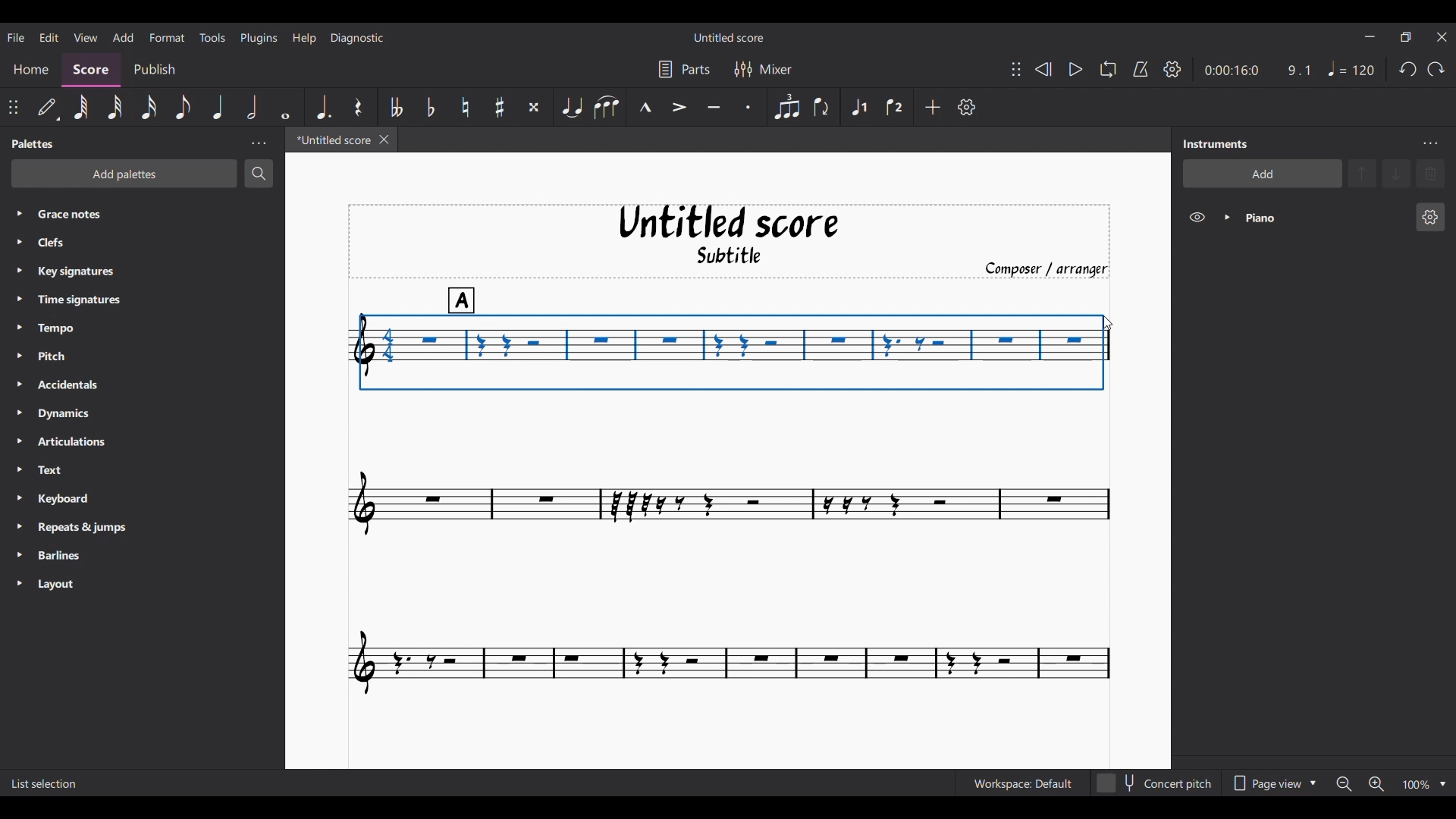  Describe the element at coordinates (1263, 174) in the screenshot. I see `Add instrument` at that location.